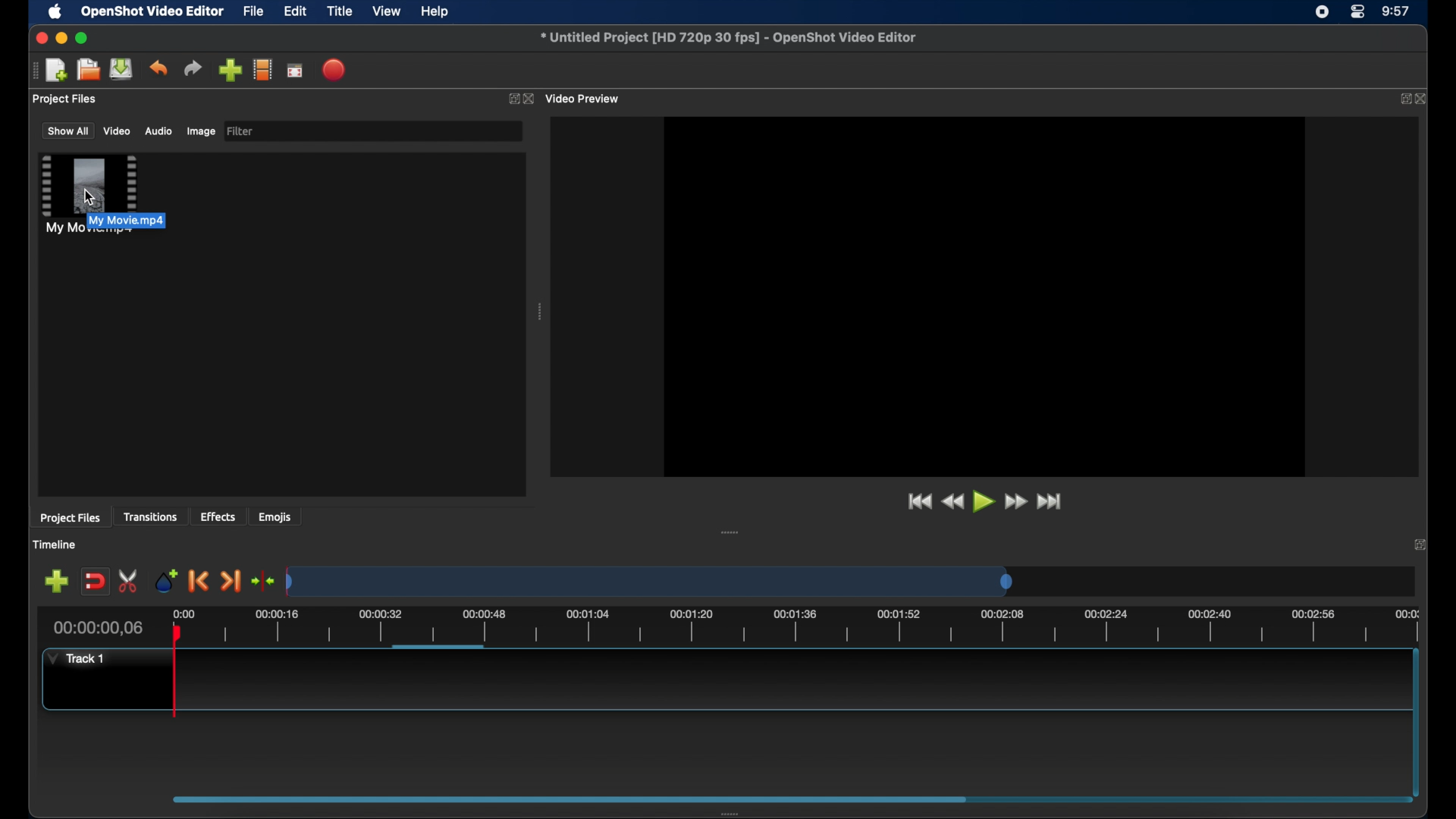 This screenshot has width=1456, height=819. I want to click on scroll box, so click(564, 799).